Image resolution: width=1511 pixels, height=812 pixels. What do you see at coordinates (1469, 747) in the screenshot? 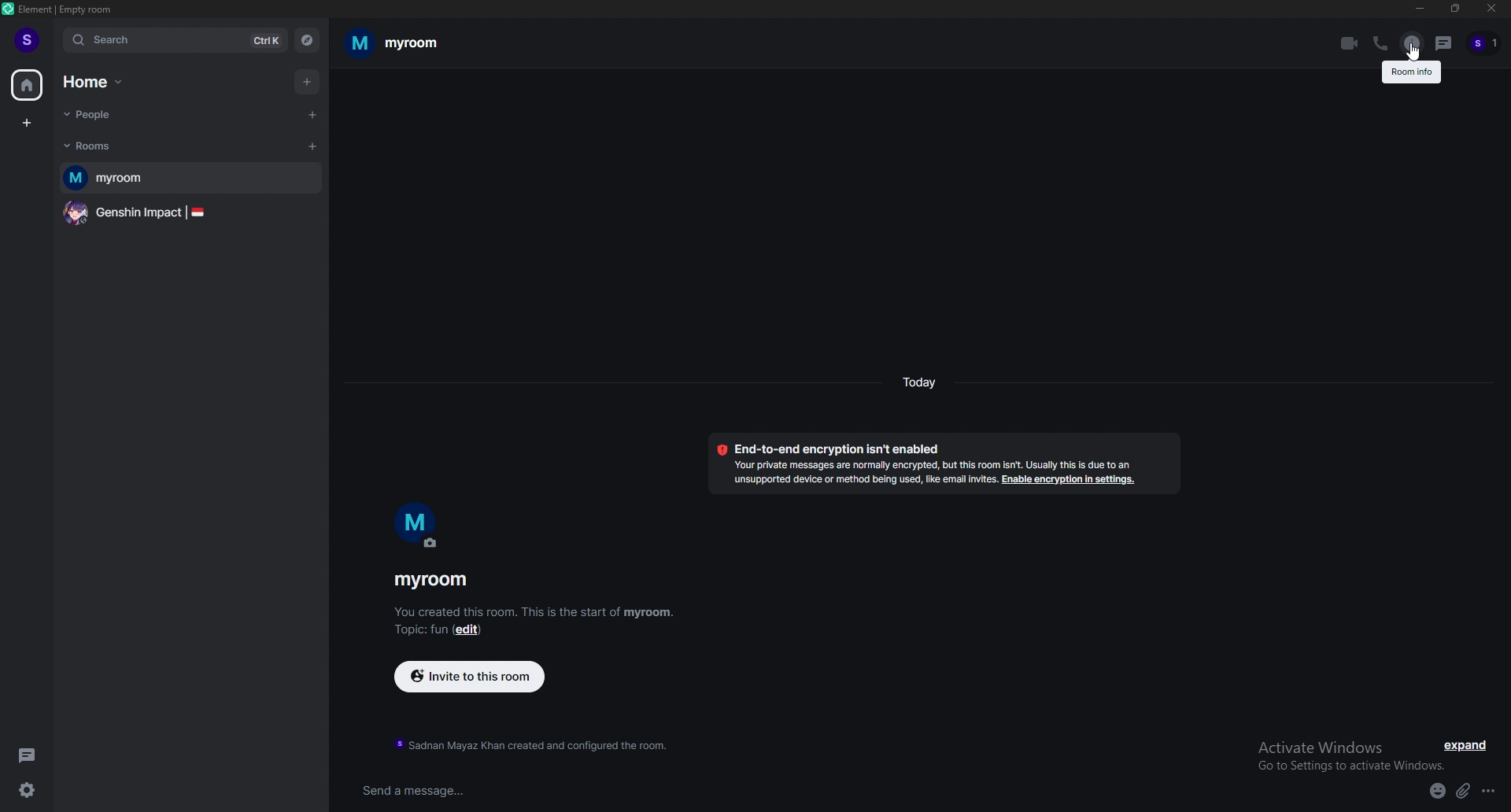
I see `expand` at bounding box center [1469, 747].